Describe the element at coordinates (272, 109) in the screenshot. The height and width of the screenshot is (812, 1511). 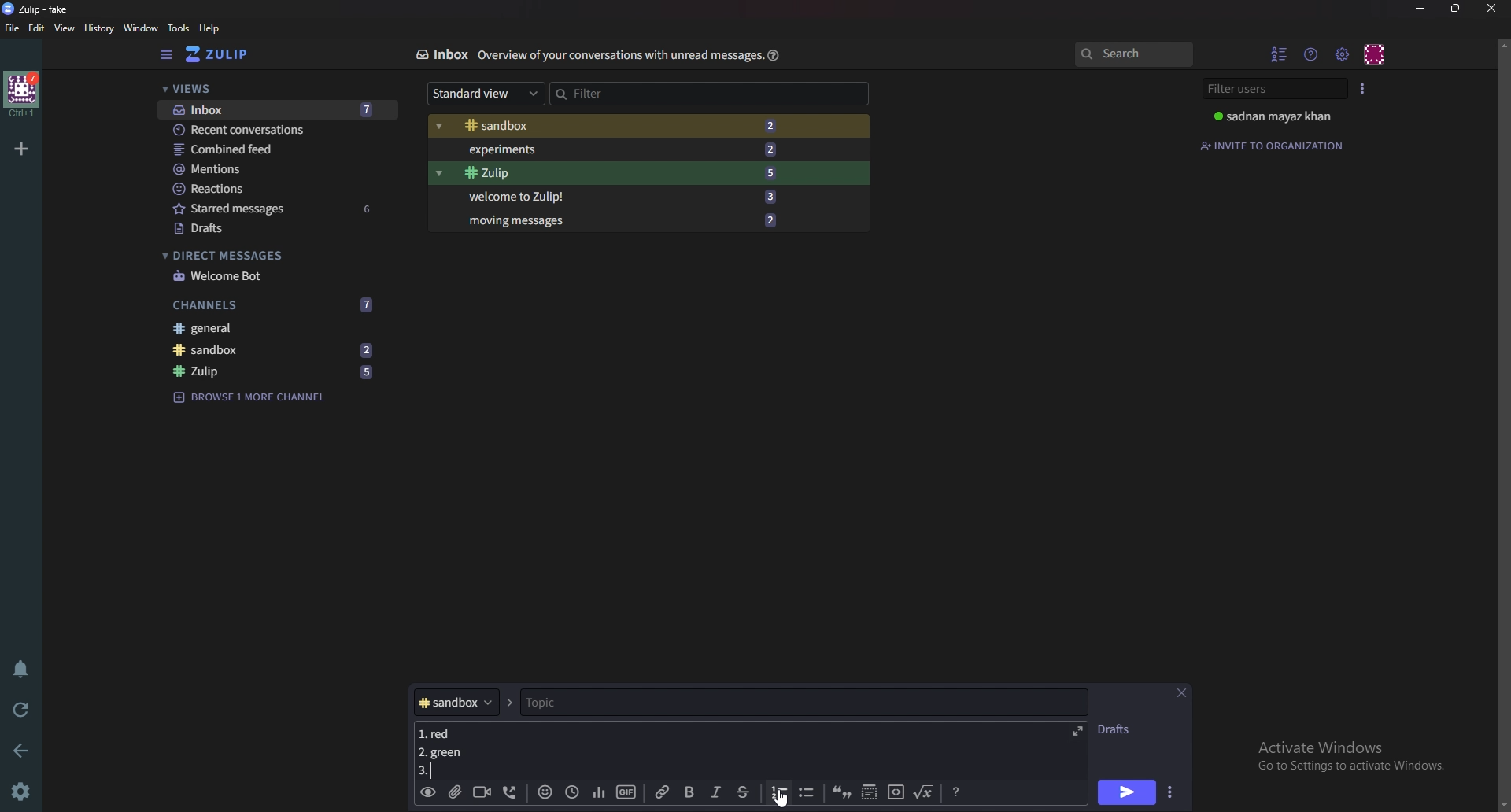
I see `Inbox` at that location.